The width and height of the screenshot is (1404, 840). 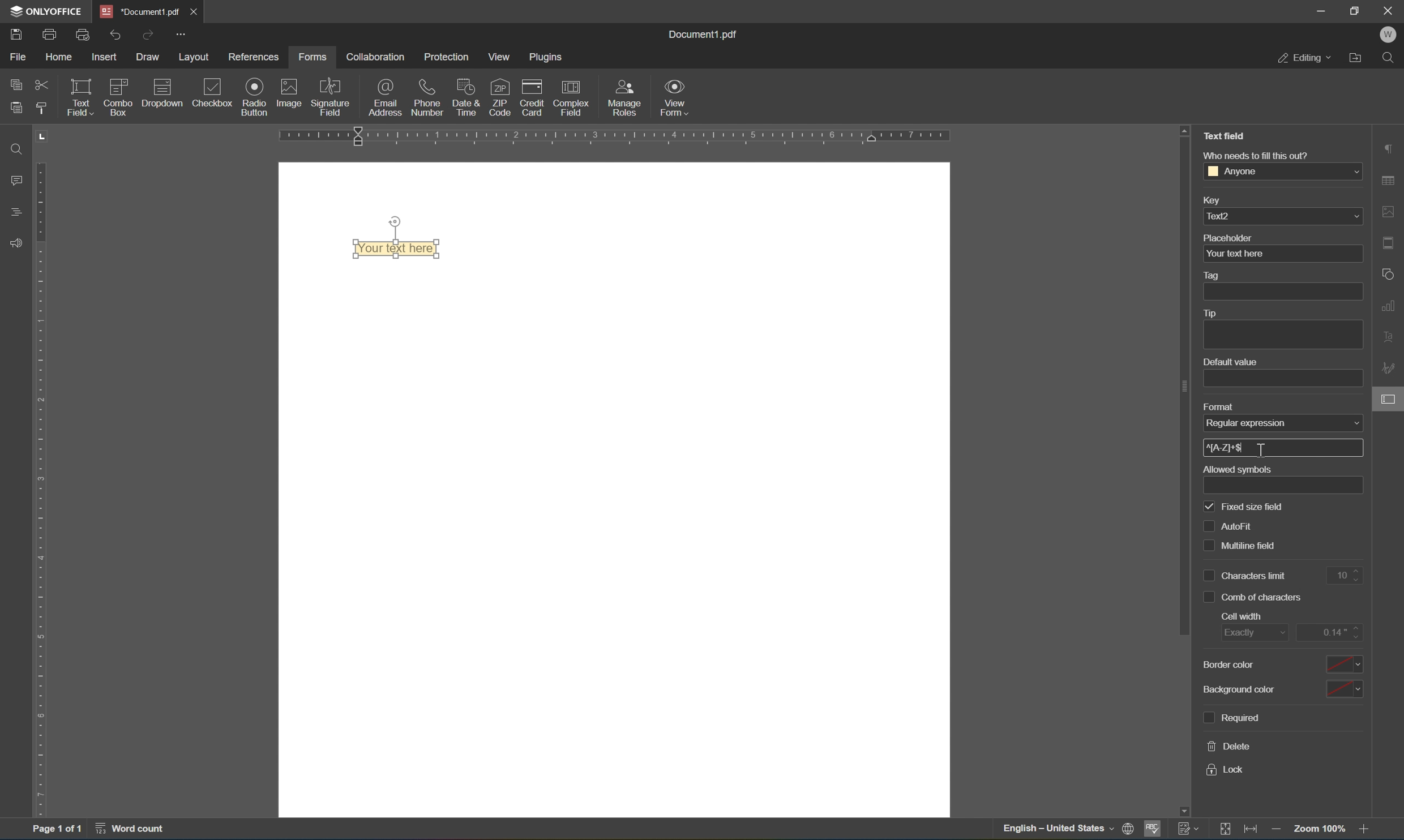 I want to click on view, so click(x=499, y=55).